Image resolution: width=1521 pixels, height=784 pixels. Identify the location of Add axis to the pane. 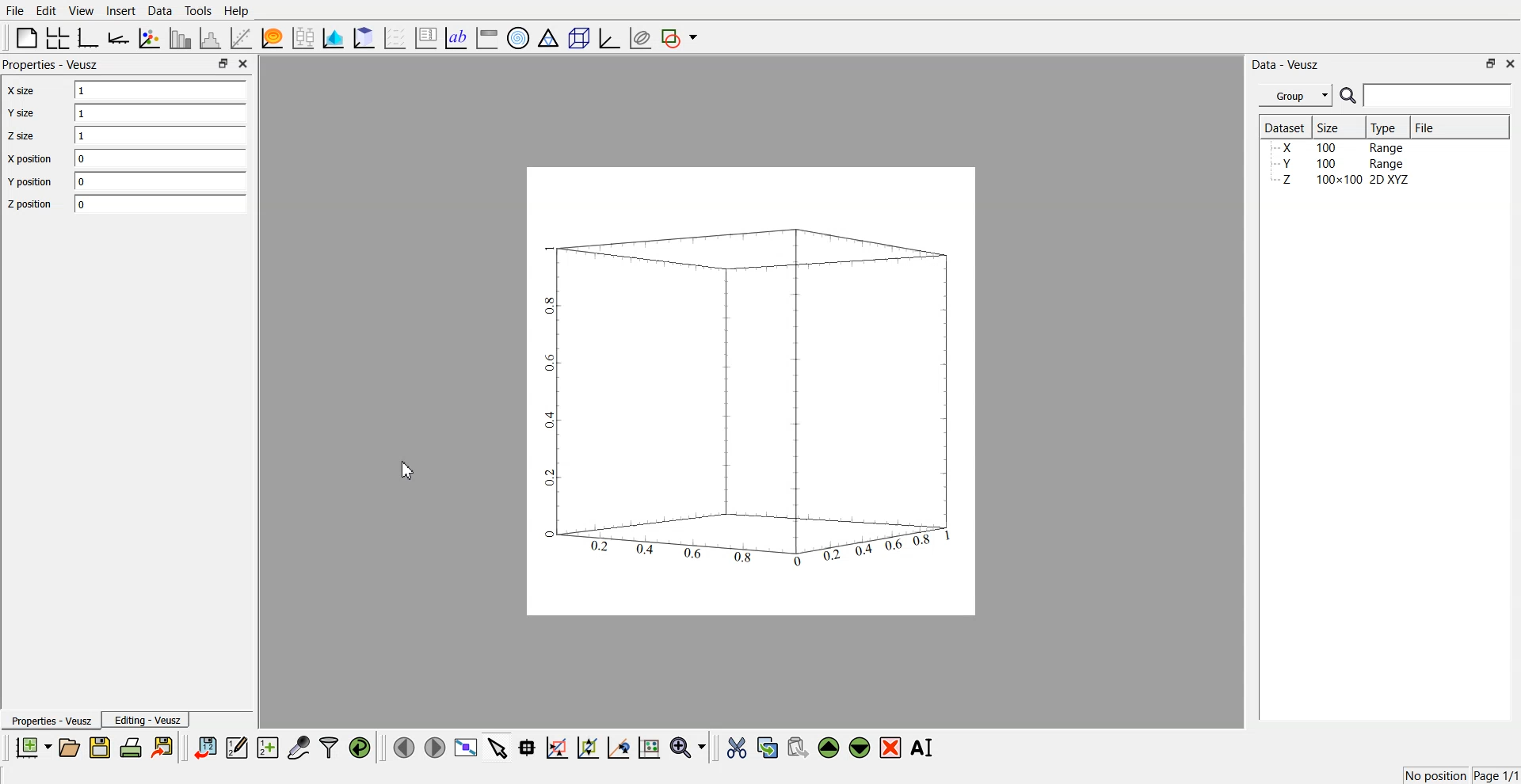
(118, 39).